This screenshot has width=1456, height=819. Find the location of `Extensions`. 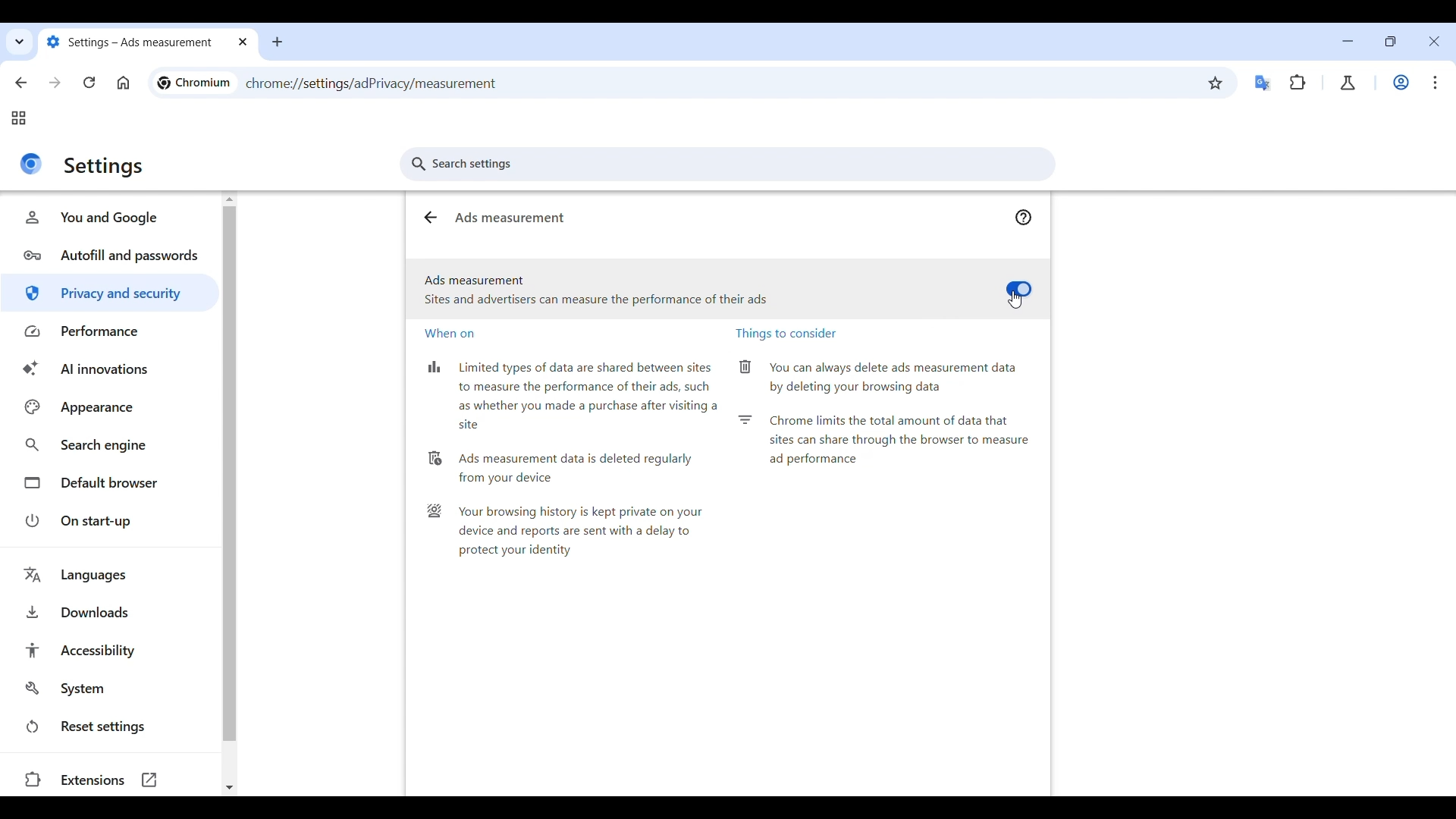

Extensions is located at coordinates (104, 781).